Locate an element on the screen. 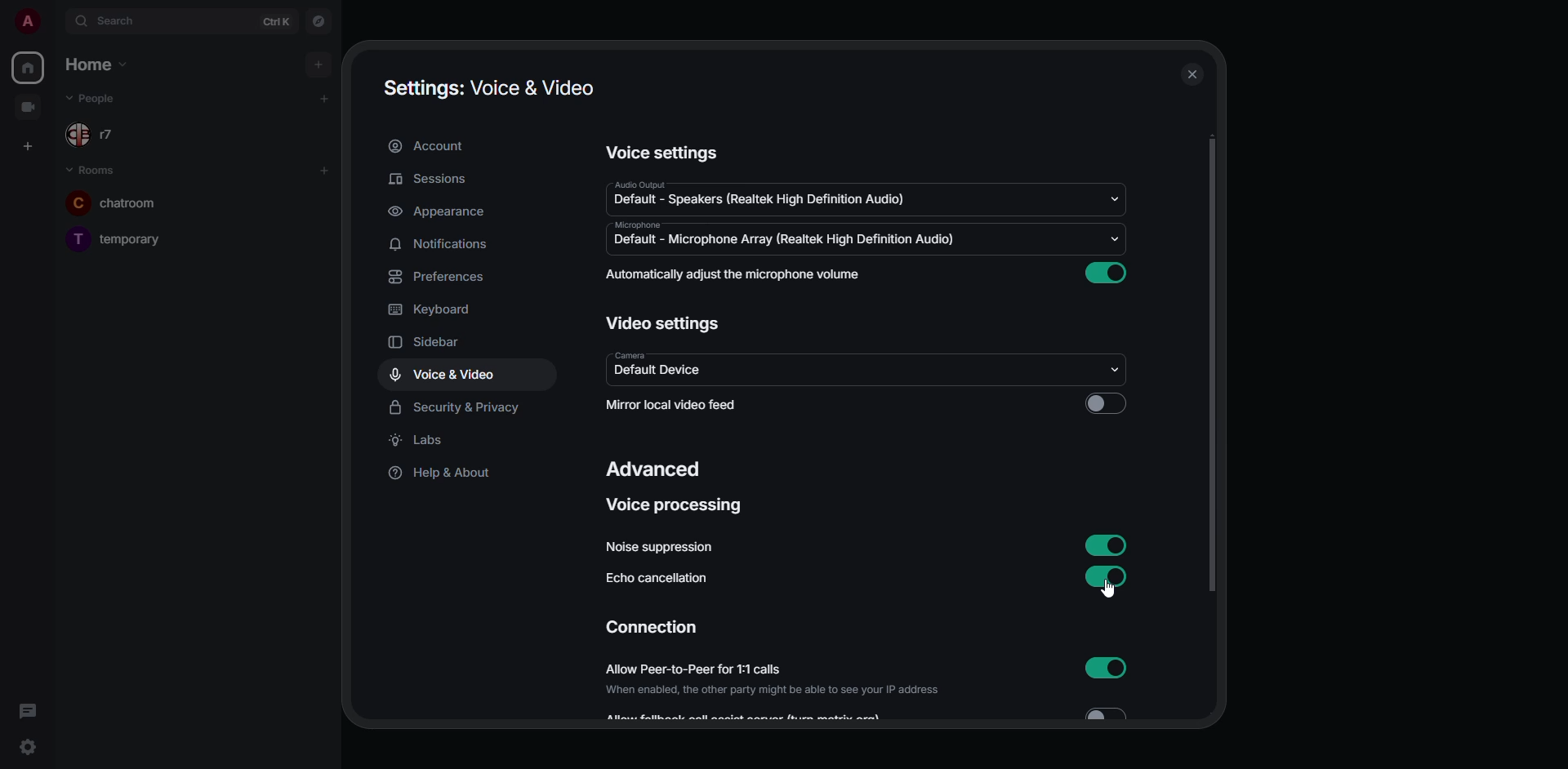 Image resolution: width=1568 pixels, height=769 pixels. security & privacy is located at coordinates (458, 408).